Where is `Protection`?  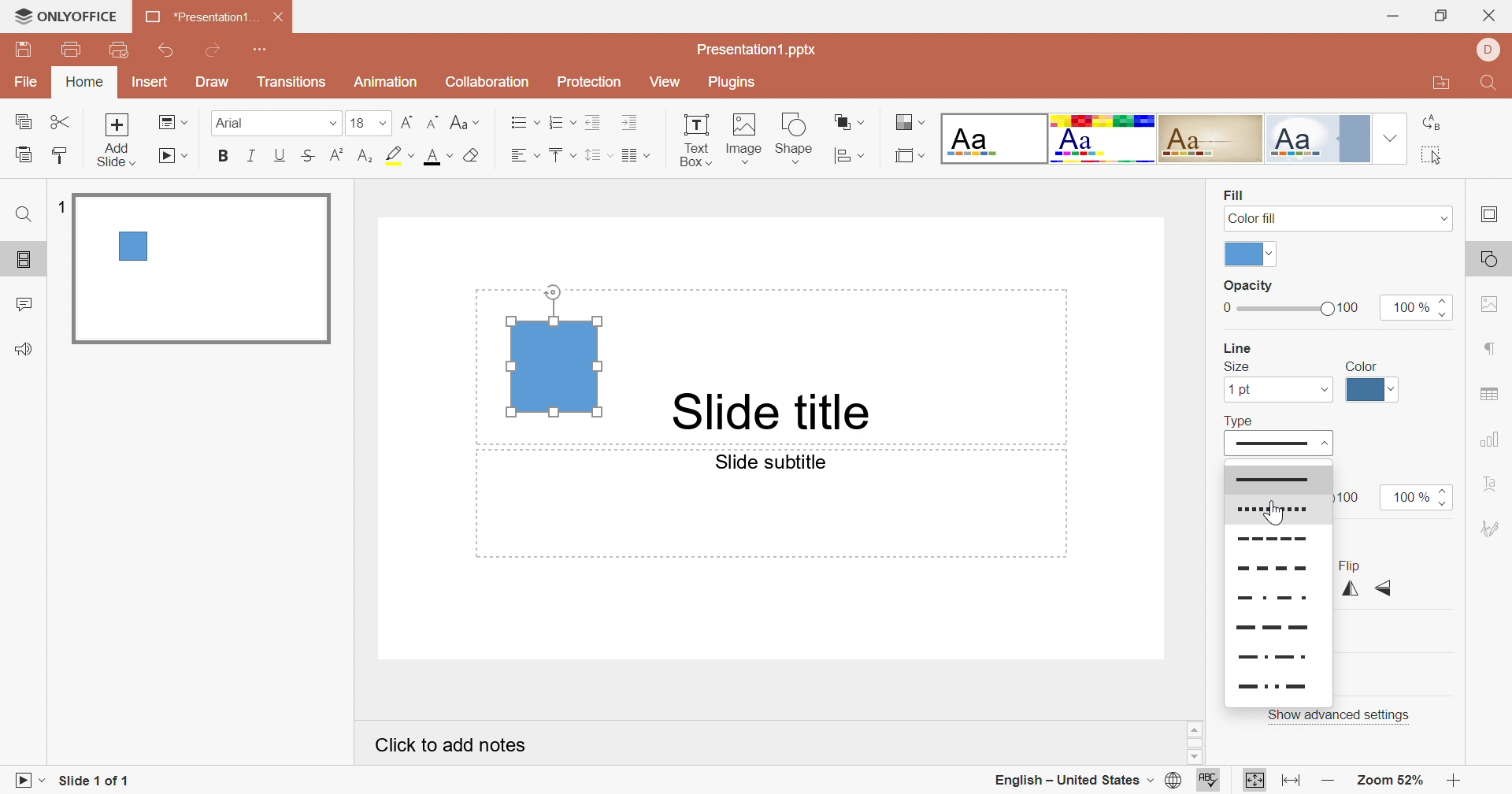
Protection is located at coordinates (592, 82).